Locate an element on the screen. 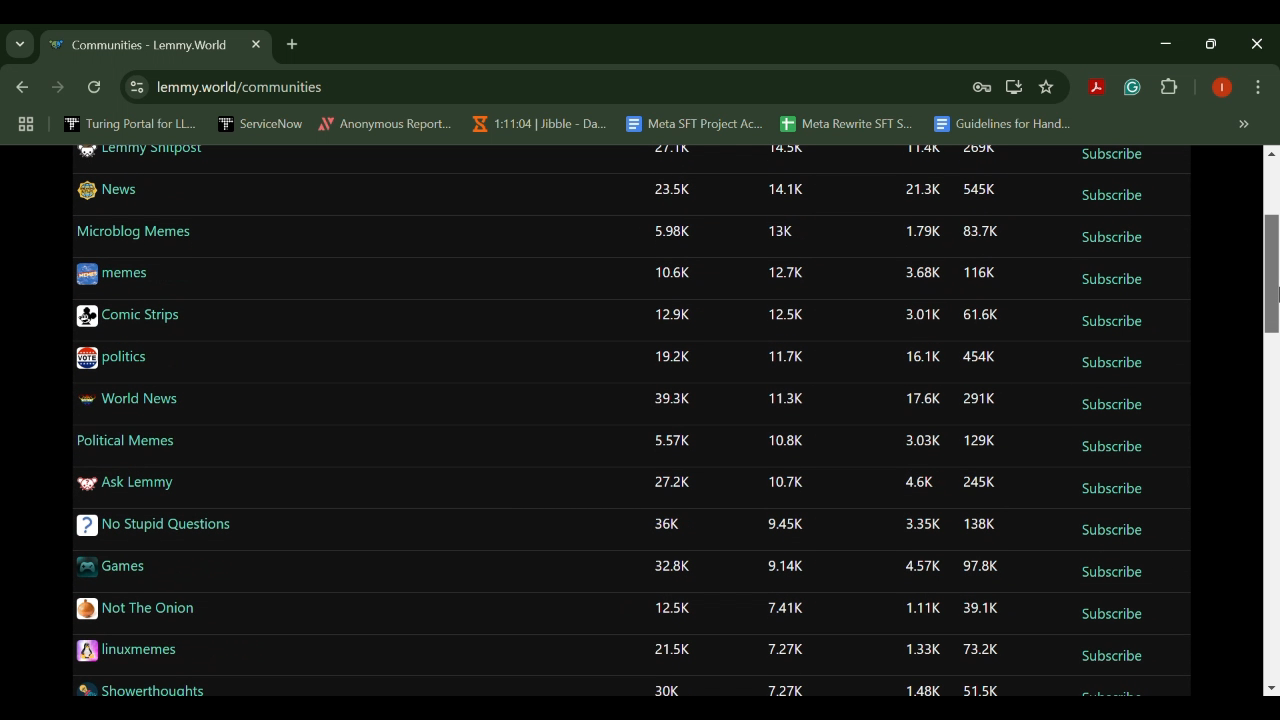 Image resolution: width=1280 pixels, height=720 pixels. Subscribe is located at coordinates (1113, 616).